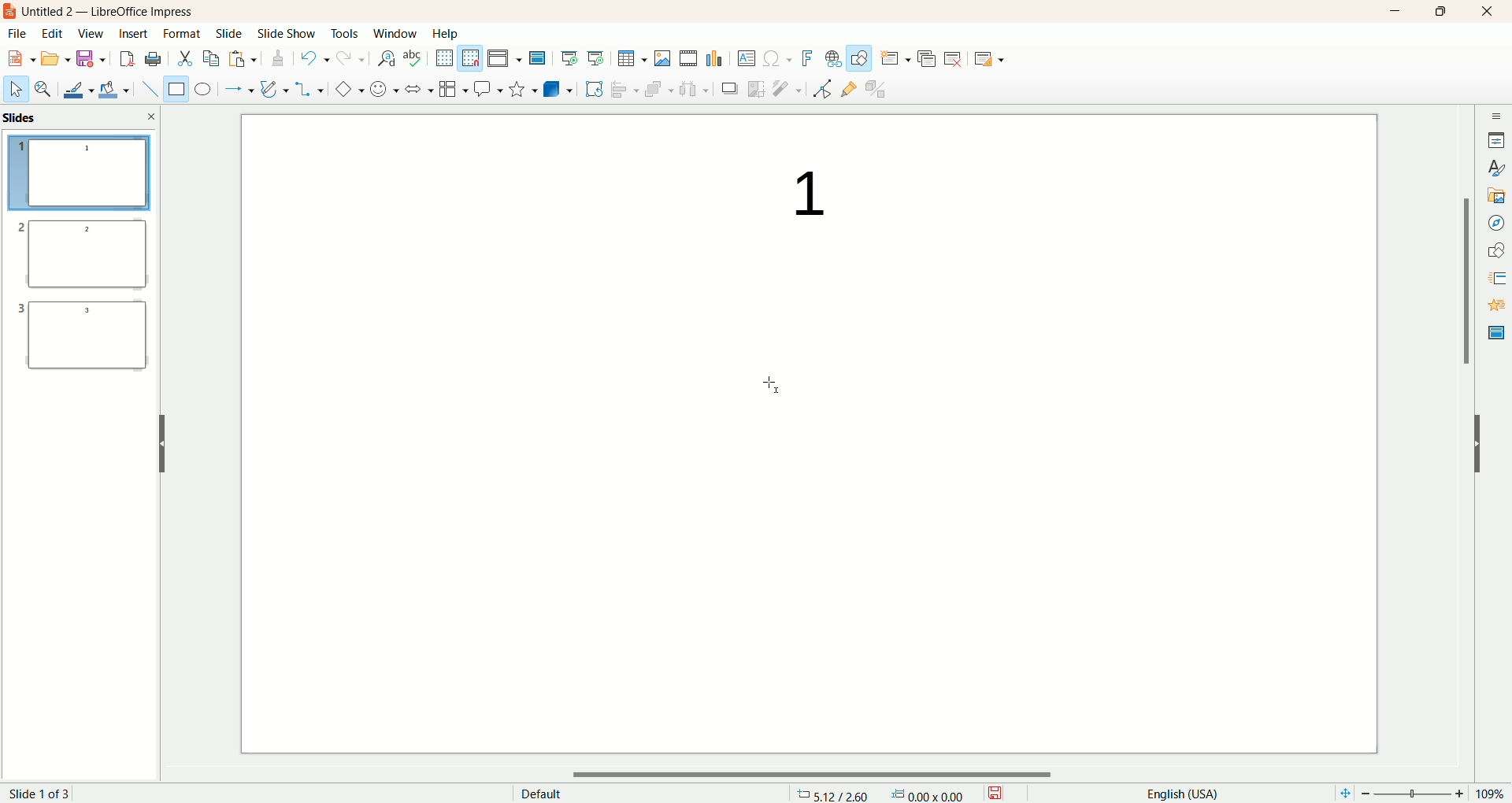  Describe the element at coordinates (1496, 248) in the screenshot. I see `shapes` at that location.